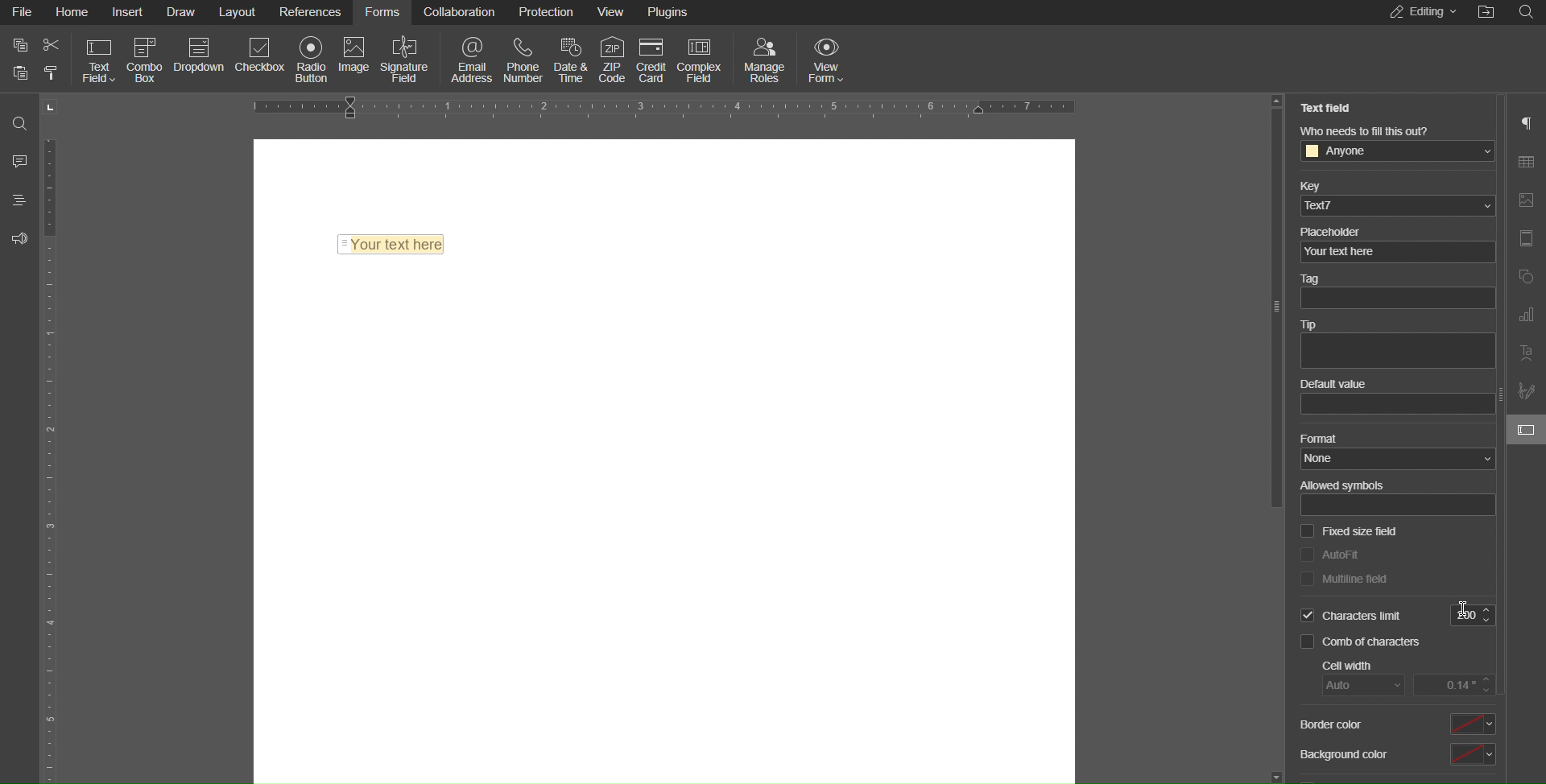 This screenshot has width=1546, height=784. I want to click on Vertical Ruler, so click(52, 457).